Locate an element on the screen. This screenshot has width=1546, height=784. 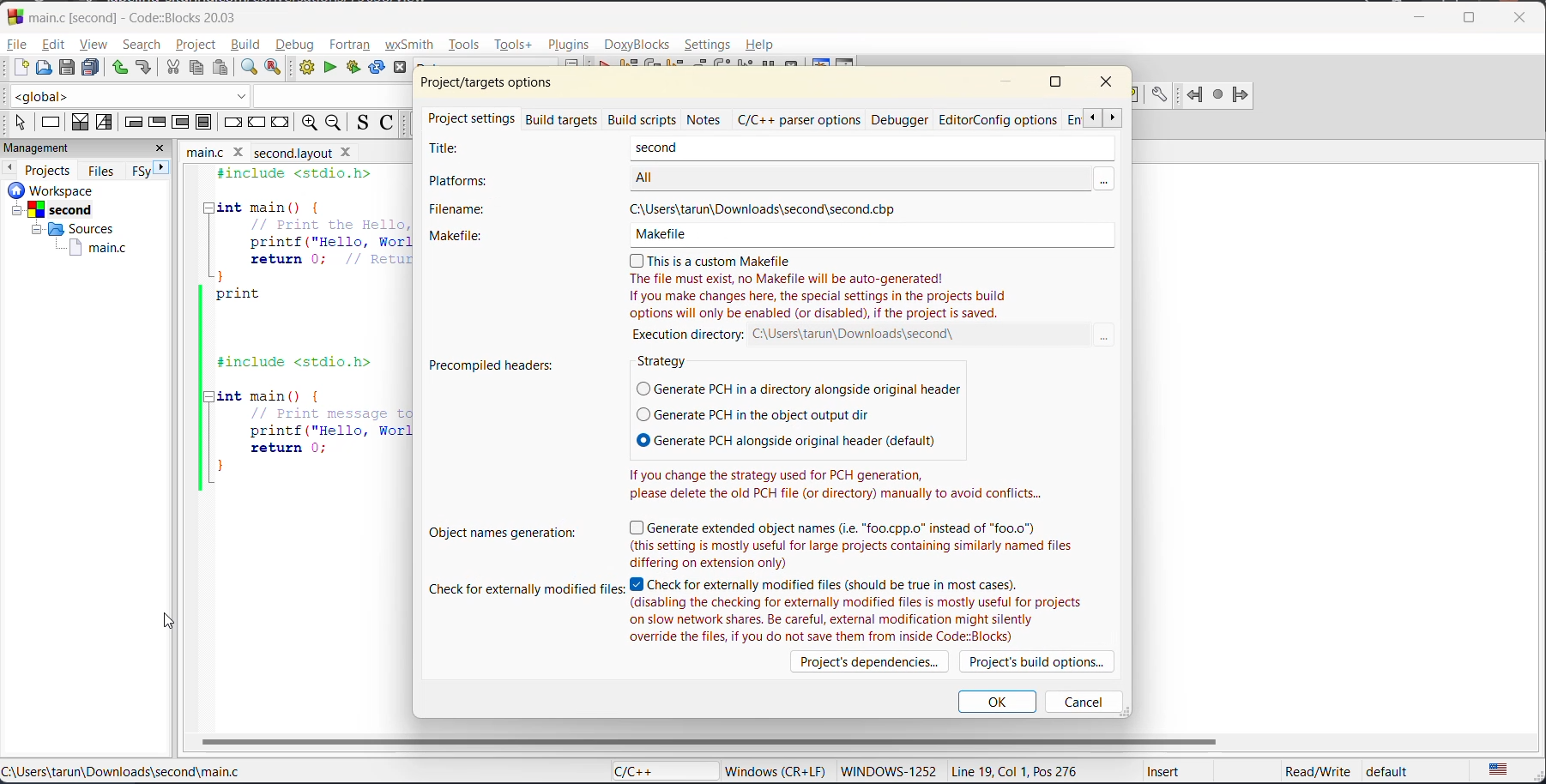
break instruction is located at coordinates (234, 123).